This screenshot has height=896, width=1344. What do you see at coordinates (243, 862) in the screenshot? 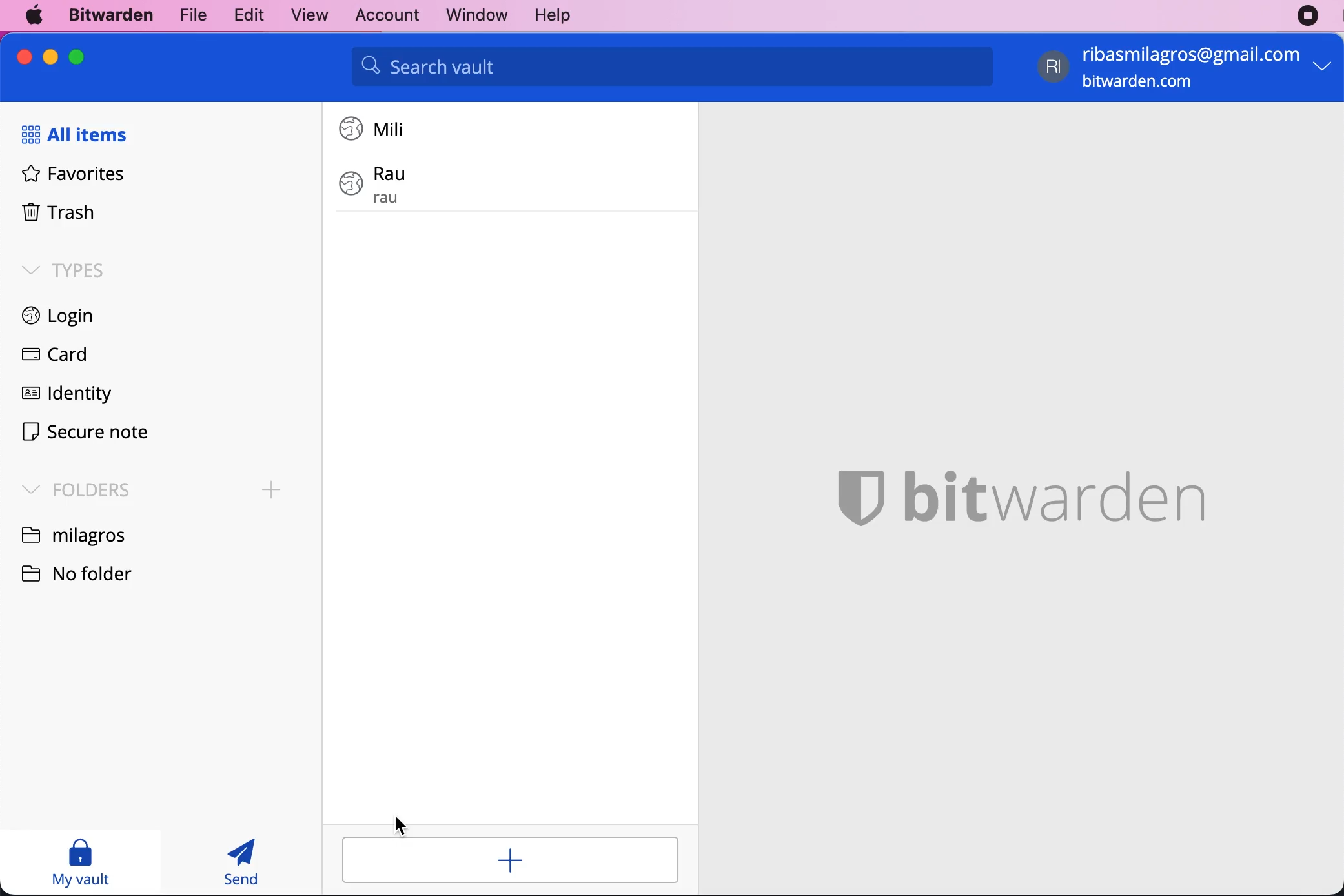
I see `send` at bounding box center [243, 862].